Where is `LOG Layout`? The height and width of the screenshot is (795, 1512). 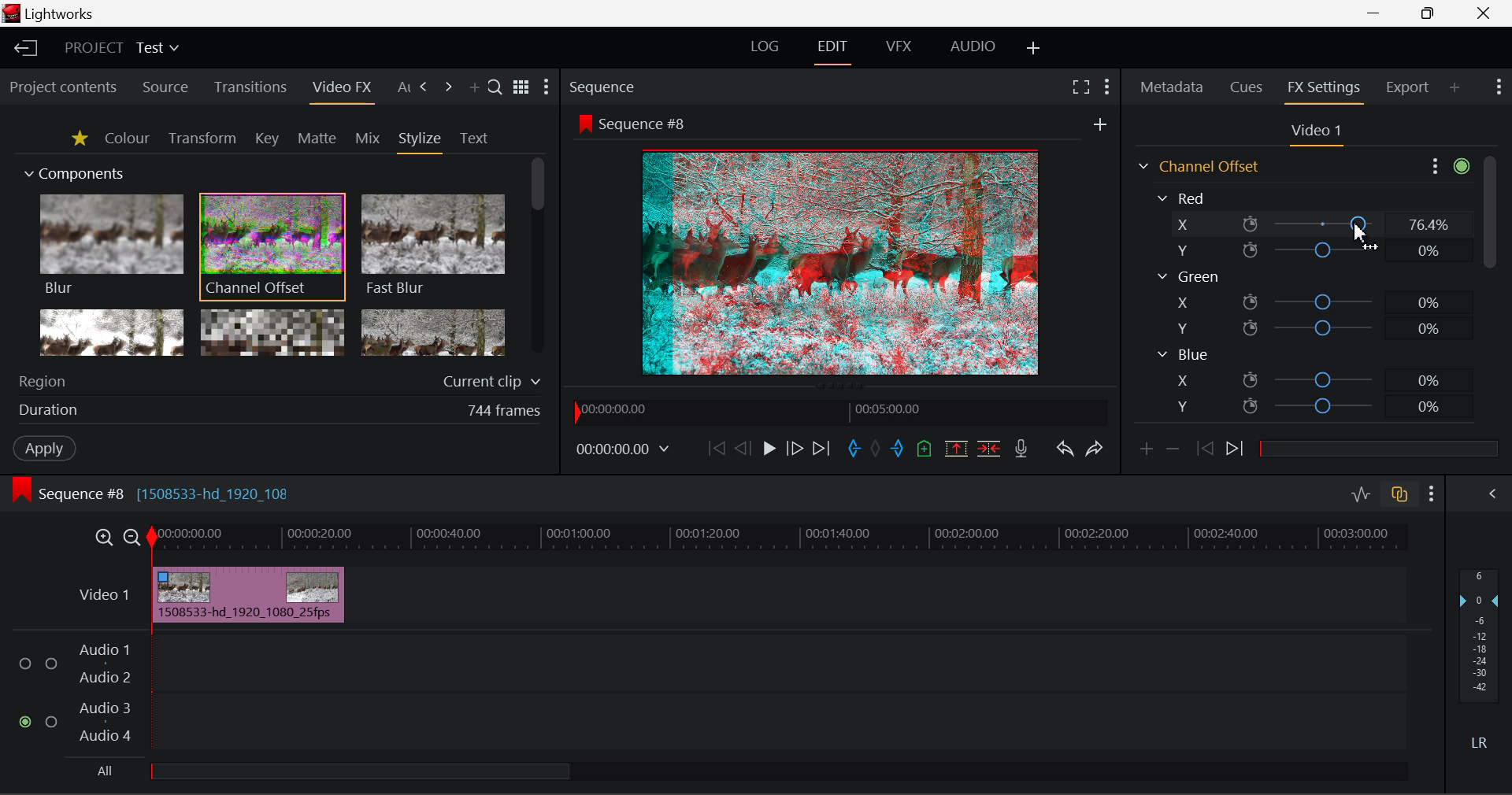 LOG Layout is located at coordinates (765, 50).